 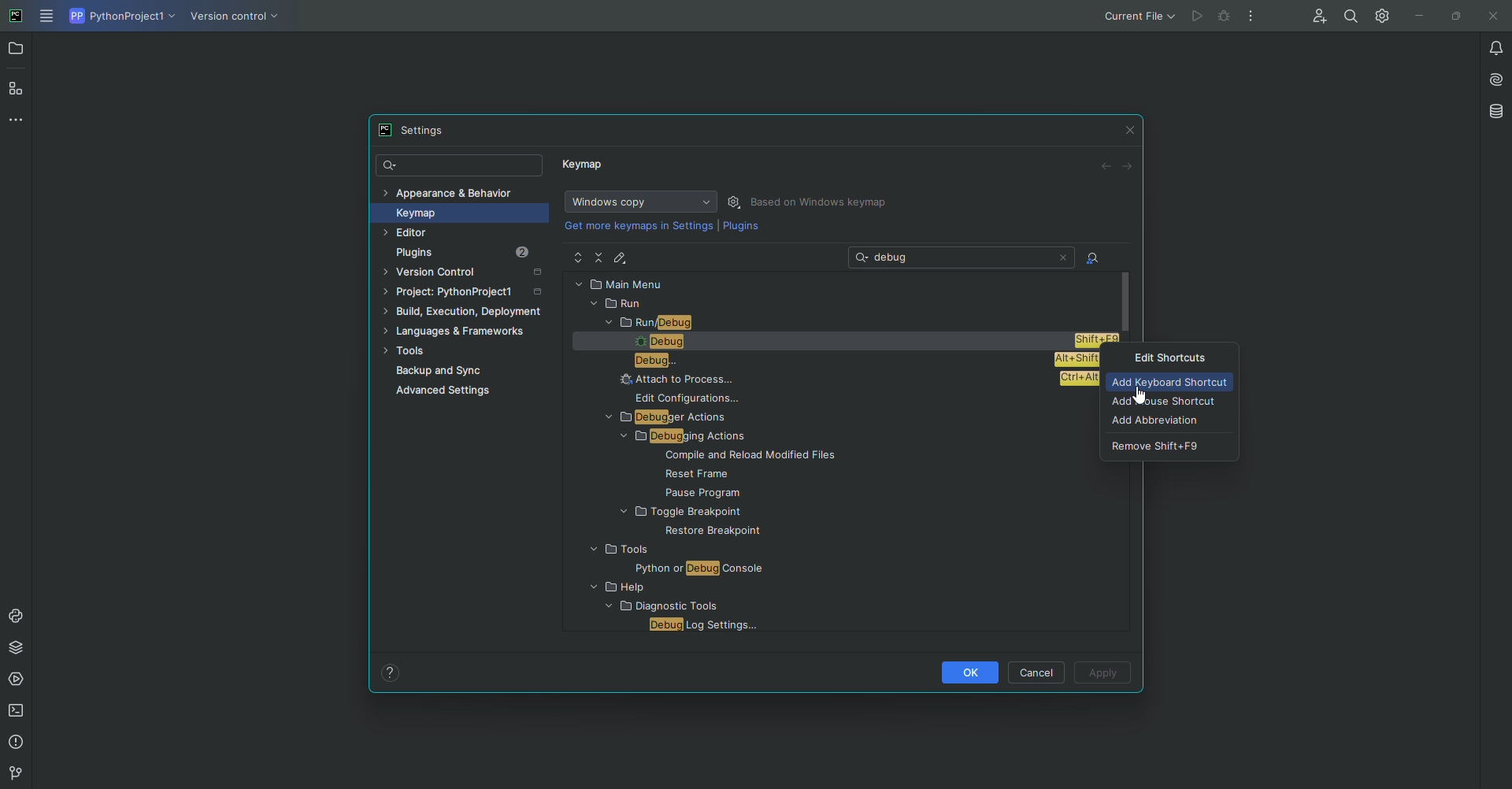 What do you see at coordinates (578, 258) in the screenshot?
I see `Expand` at bounding box center [578, 258].